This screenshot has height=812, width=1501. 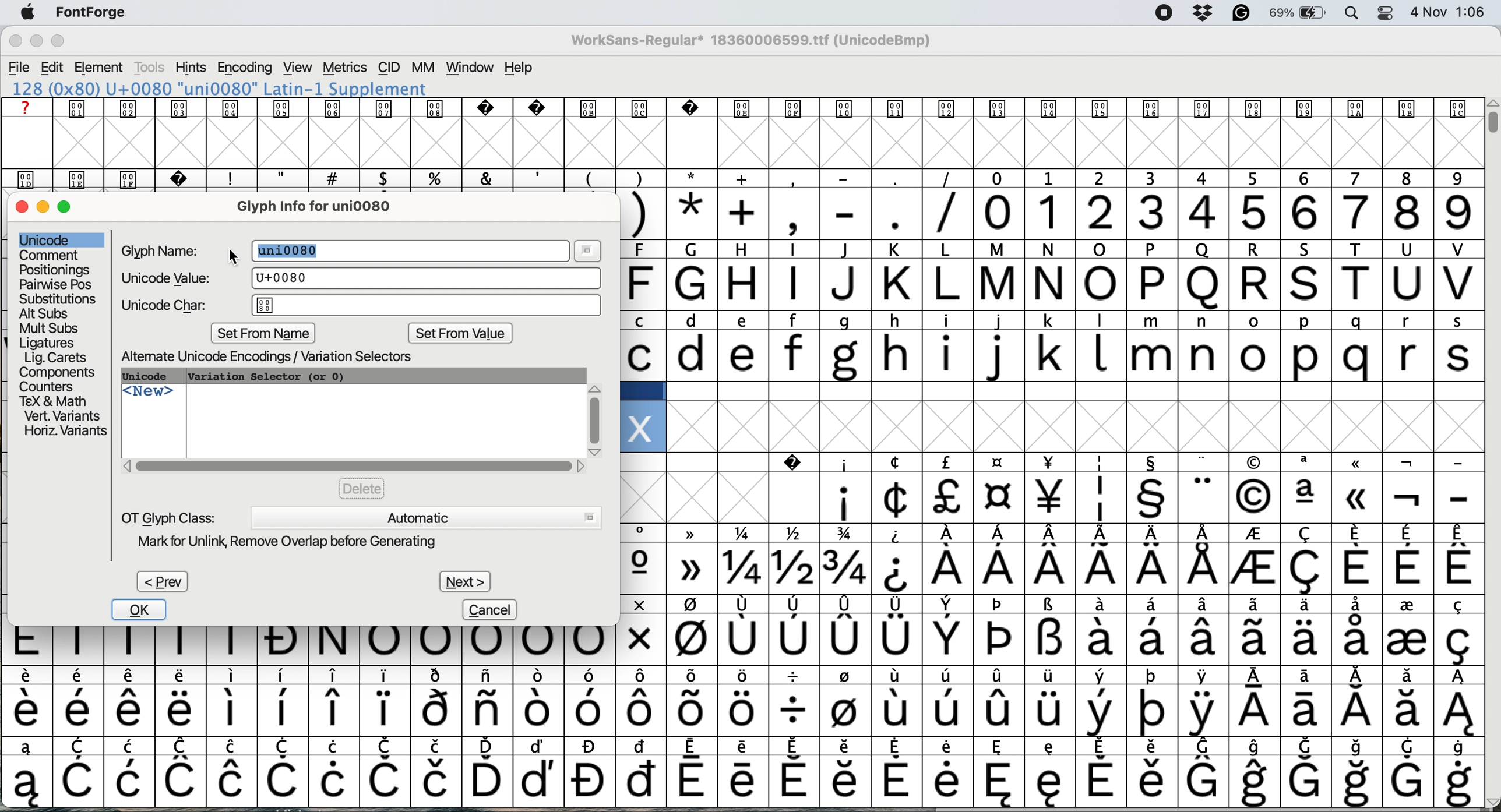 What do you see at coordinates (44, 207) in the screenshot?
I see `minimise` at bounding box center [44, 207].